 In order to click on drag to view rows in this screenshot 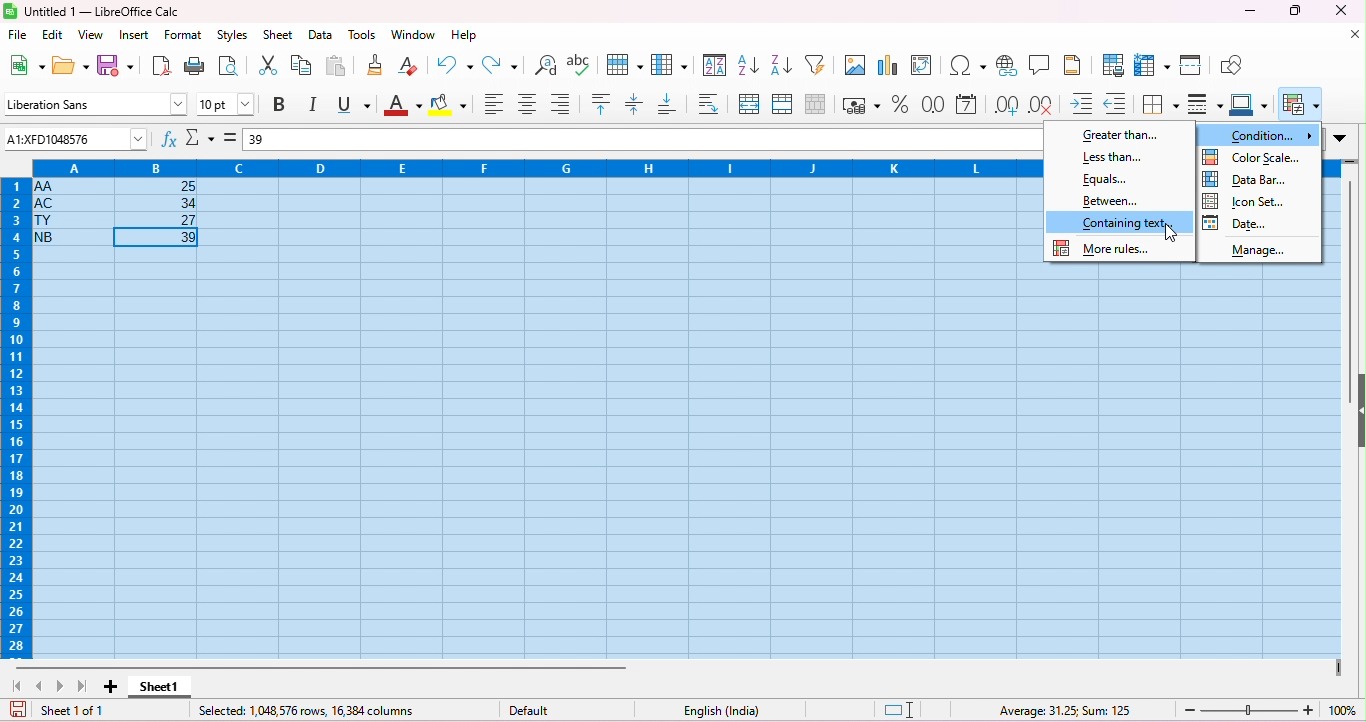, I will do `click(1351, 162)`.